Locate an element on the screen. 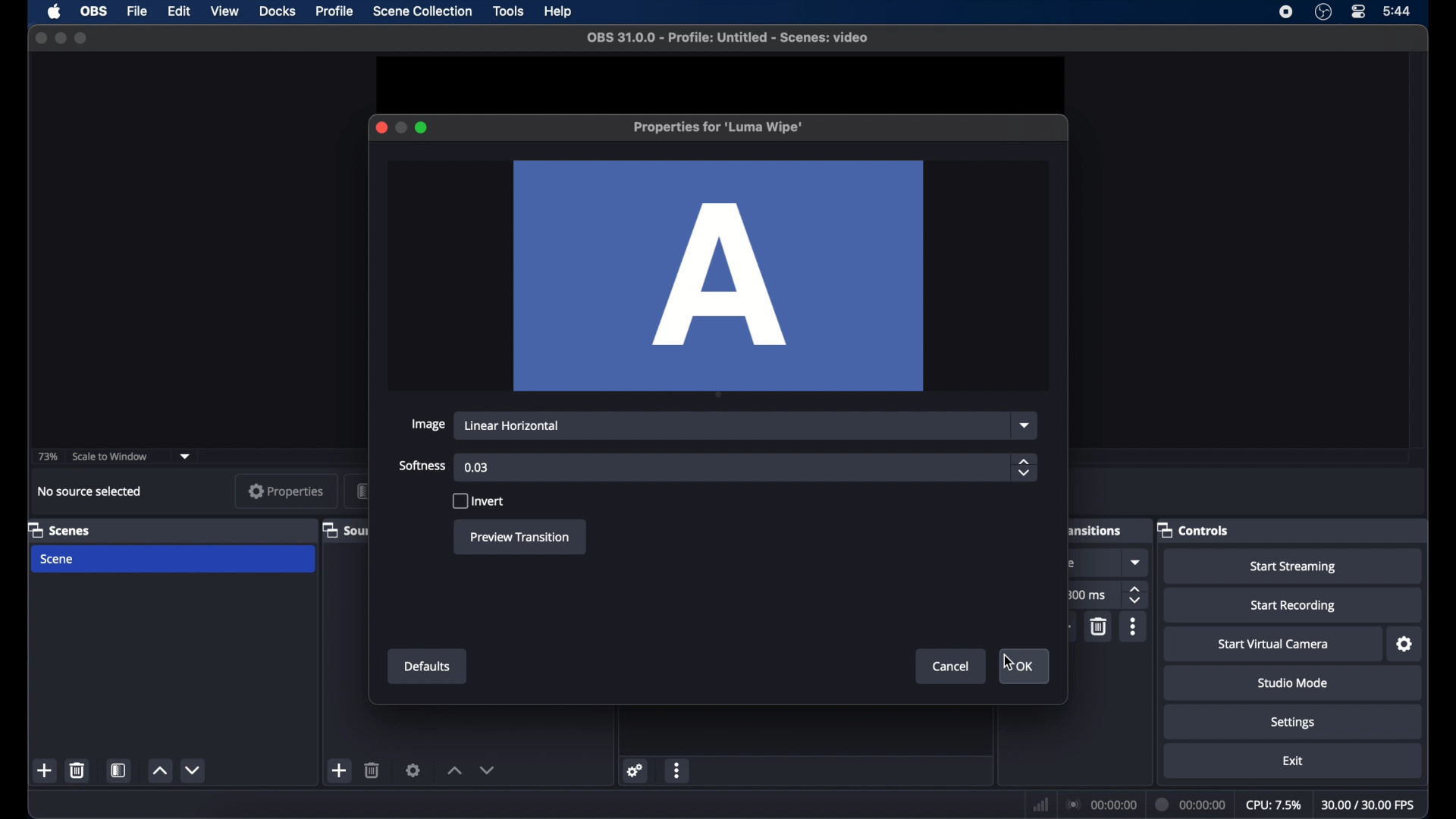 The height and width of the screenshot is (819, 1456). 73% is located at coordinates (47, 457).